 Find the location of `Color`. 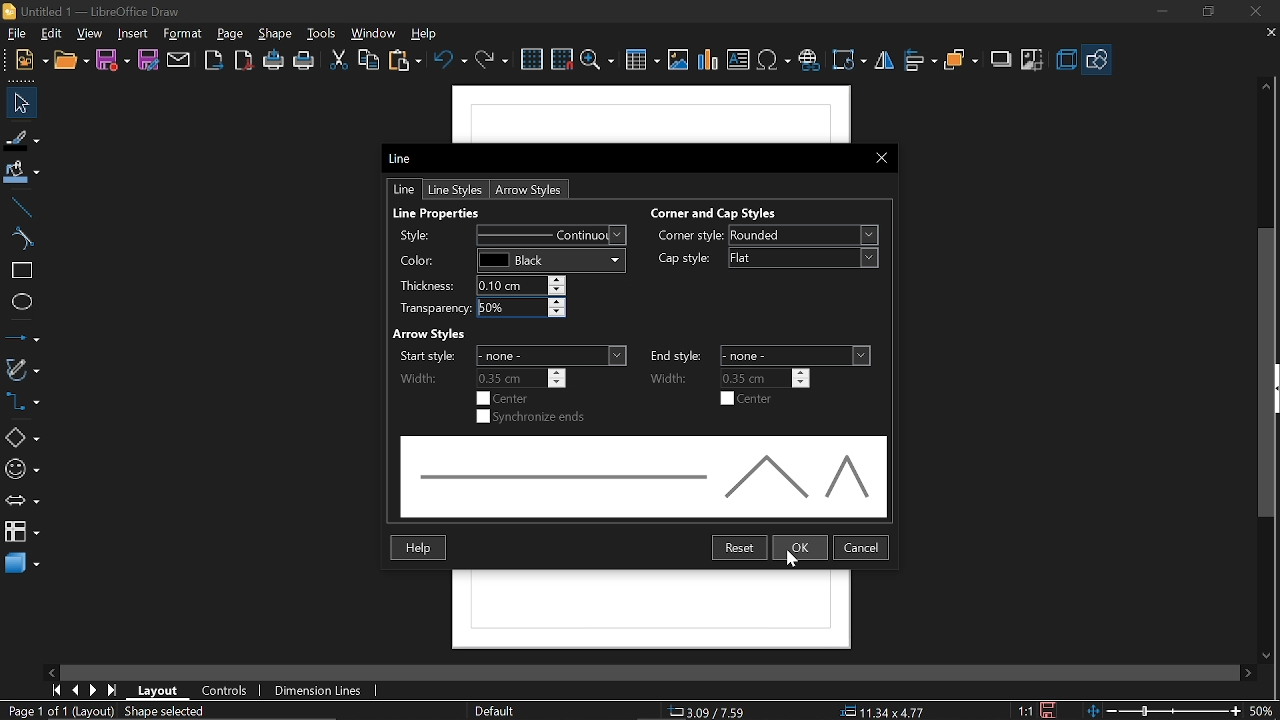

Color is located at coordinates (507, 259).